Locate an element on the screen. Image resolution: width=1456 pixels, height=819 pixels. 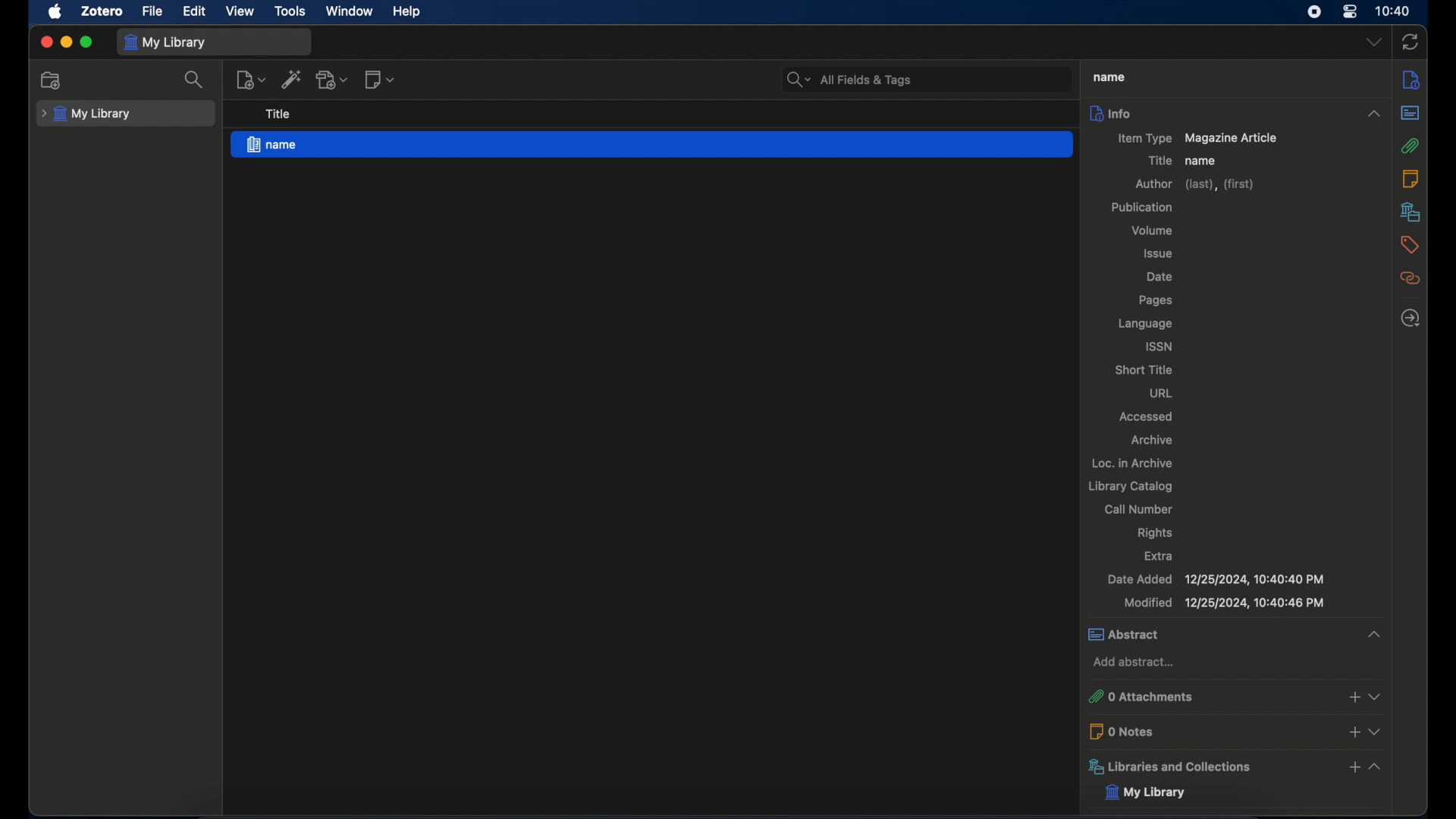
maximize is located at coordinates (86, 42).